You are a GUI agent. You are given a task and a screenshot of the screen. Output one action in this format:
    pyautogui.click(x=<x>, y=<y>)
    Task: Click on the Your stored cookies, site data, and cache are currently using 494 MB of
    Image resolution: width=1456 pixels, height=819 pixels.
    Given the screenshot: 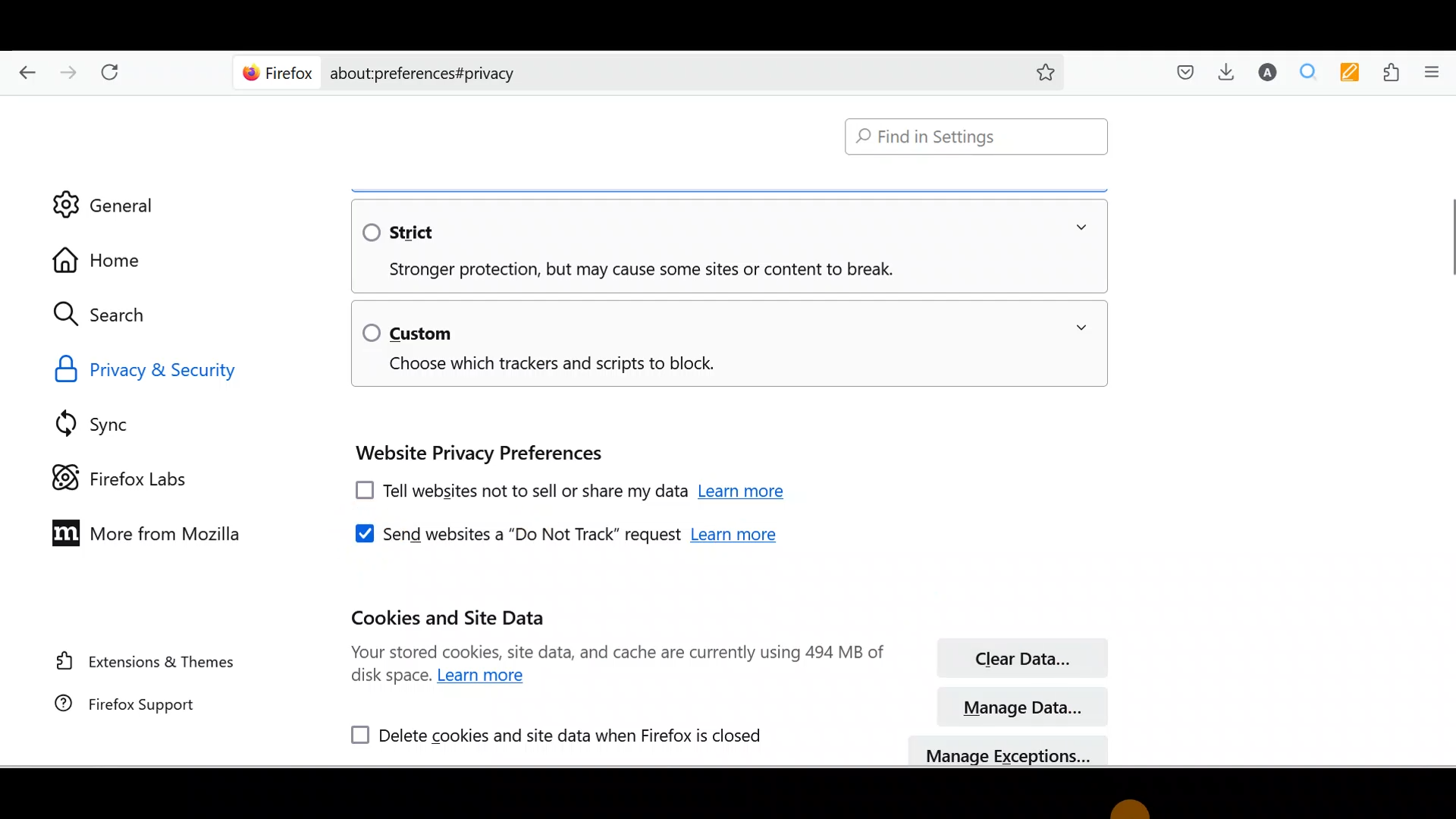 What is the action you would take?
    pyautogui.click(x=617, y=651)
    